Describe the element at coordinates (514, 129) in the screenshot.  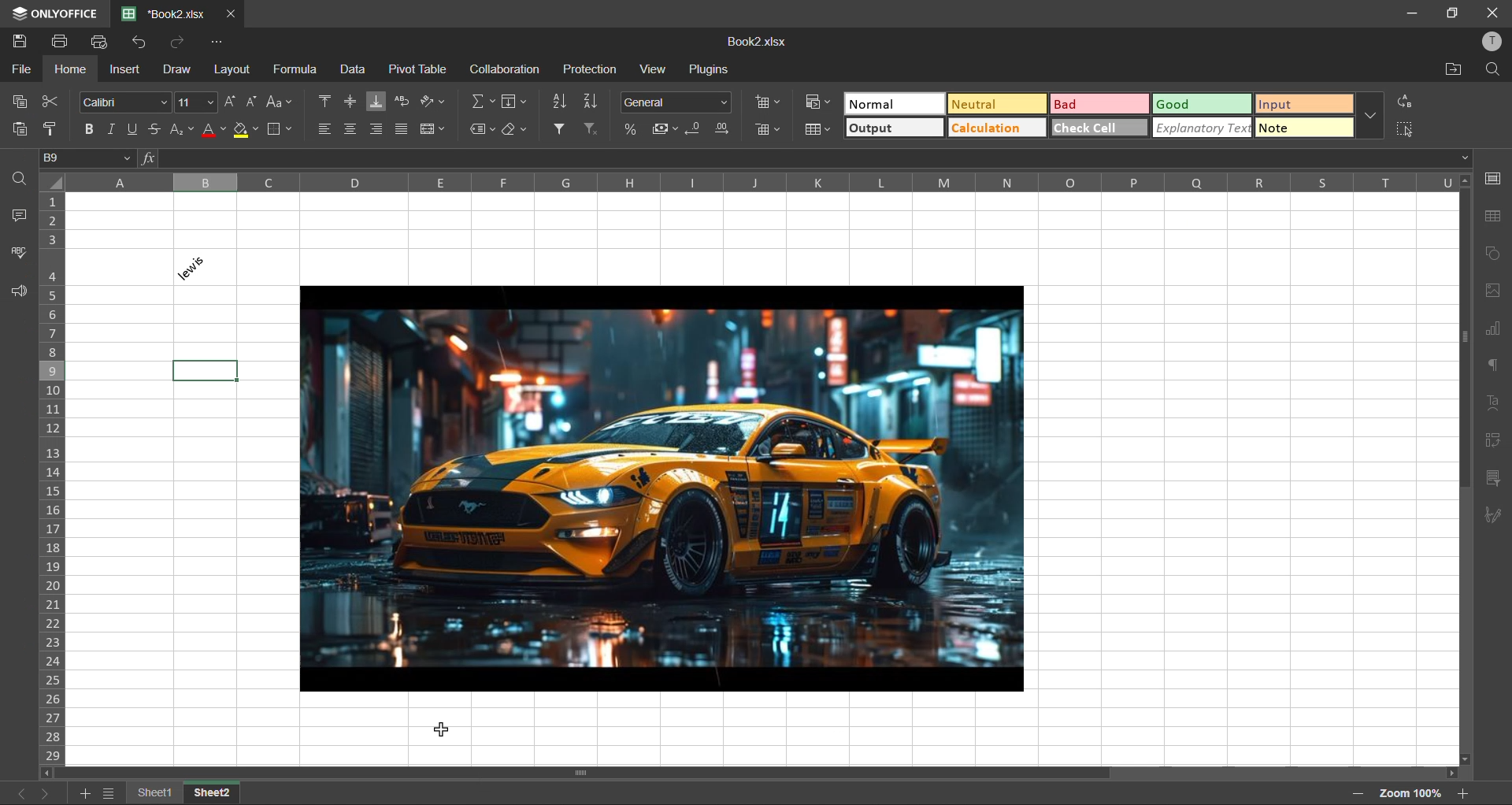
I see `clear` at that location.